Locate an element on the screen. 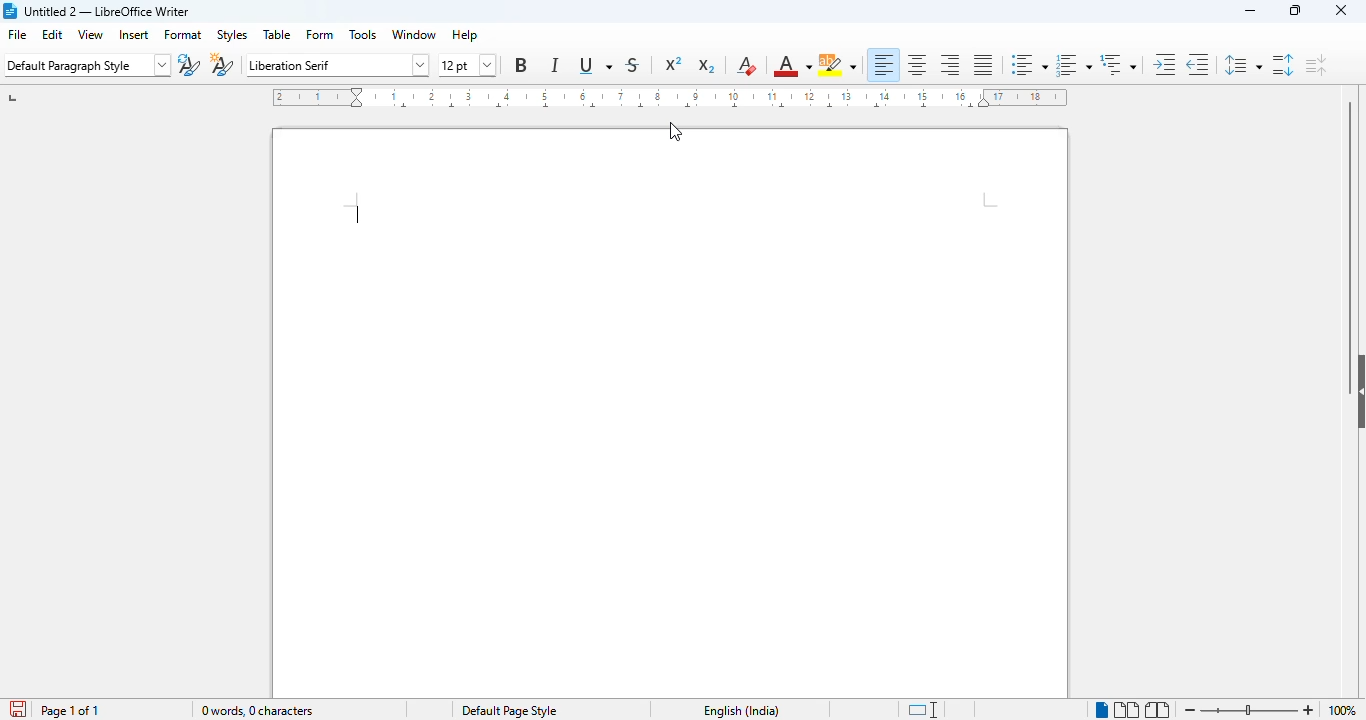  underline is located at coordinates (596, 67).